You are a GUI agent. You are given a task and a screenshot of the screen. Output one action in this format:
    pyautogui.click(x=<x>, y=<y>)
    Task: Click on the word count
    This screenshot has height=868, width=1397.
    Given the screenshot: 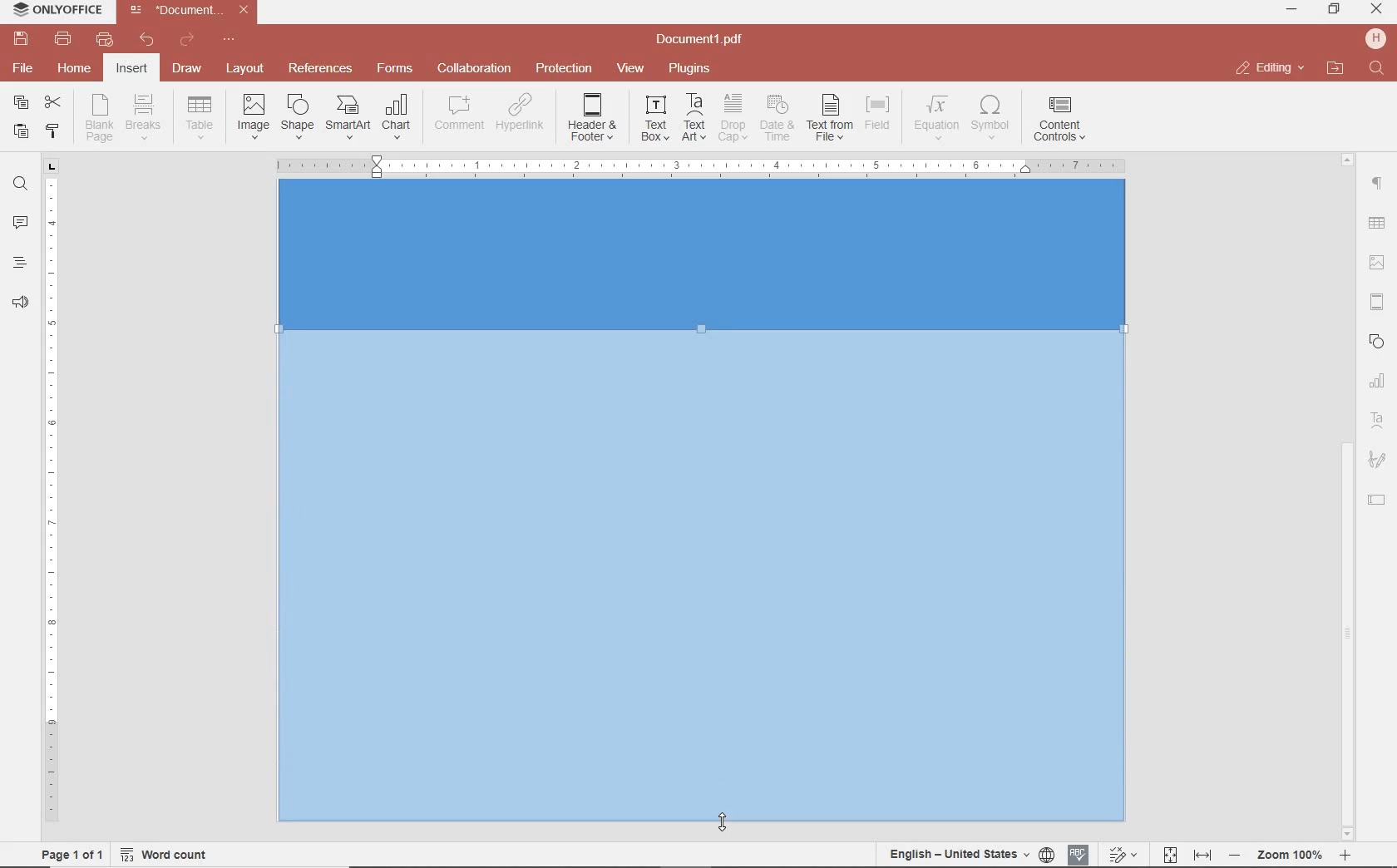 What is the action you would take?
    pyautogui.click(x=170, y=855)
    